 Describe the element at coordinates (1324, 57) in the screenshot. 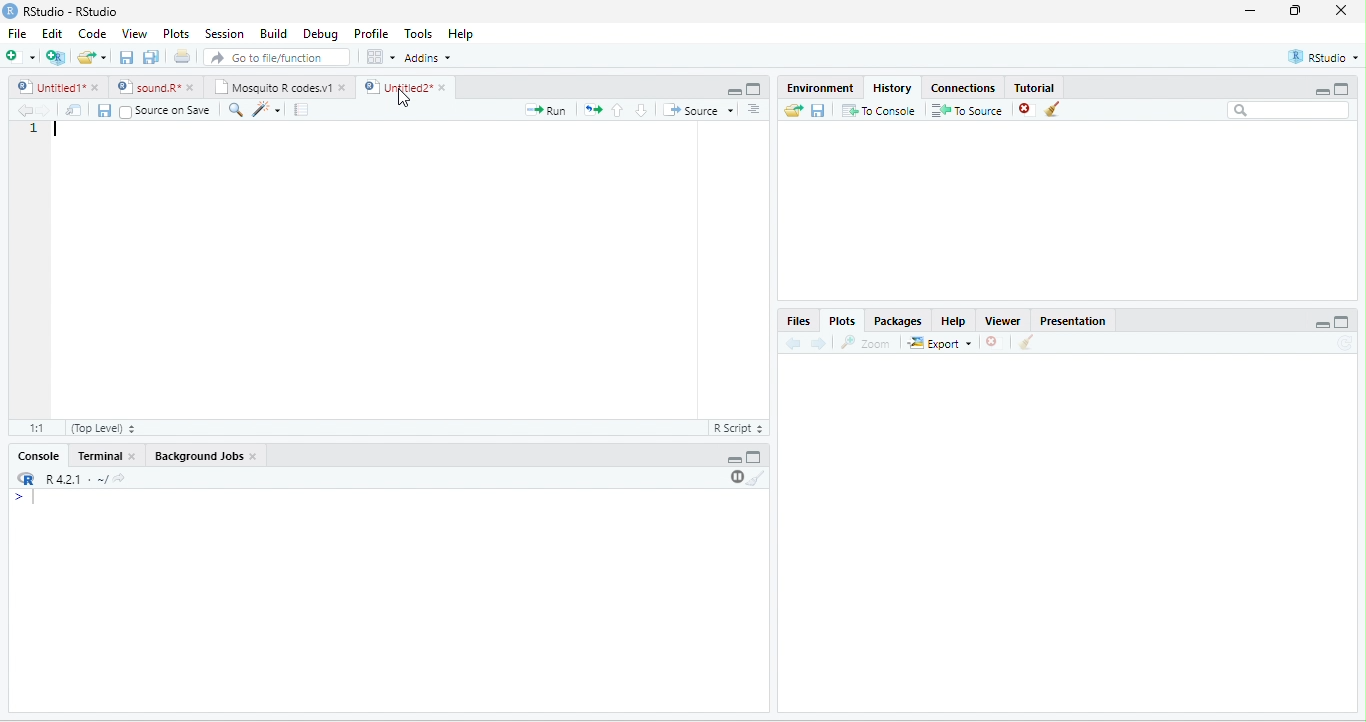

I see `RStudio` at that location.